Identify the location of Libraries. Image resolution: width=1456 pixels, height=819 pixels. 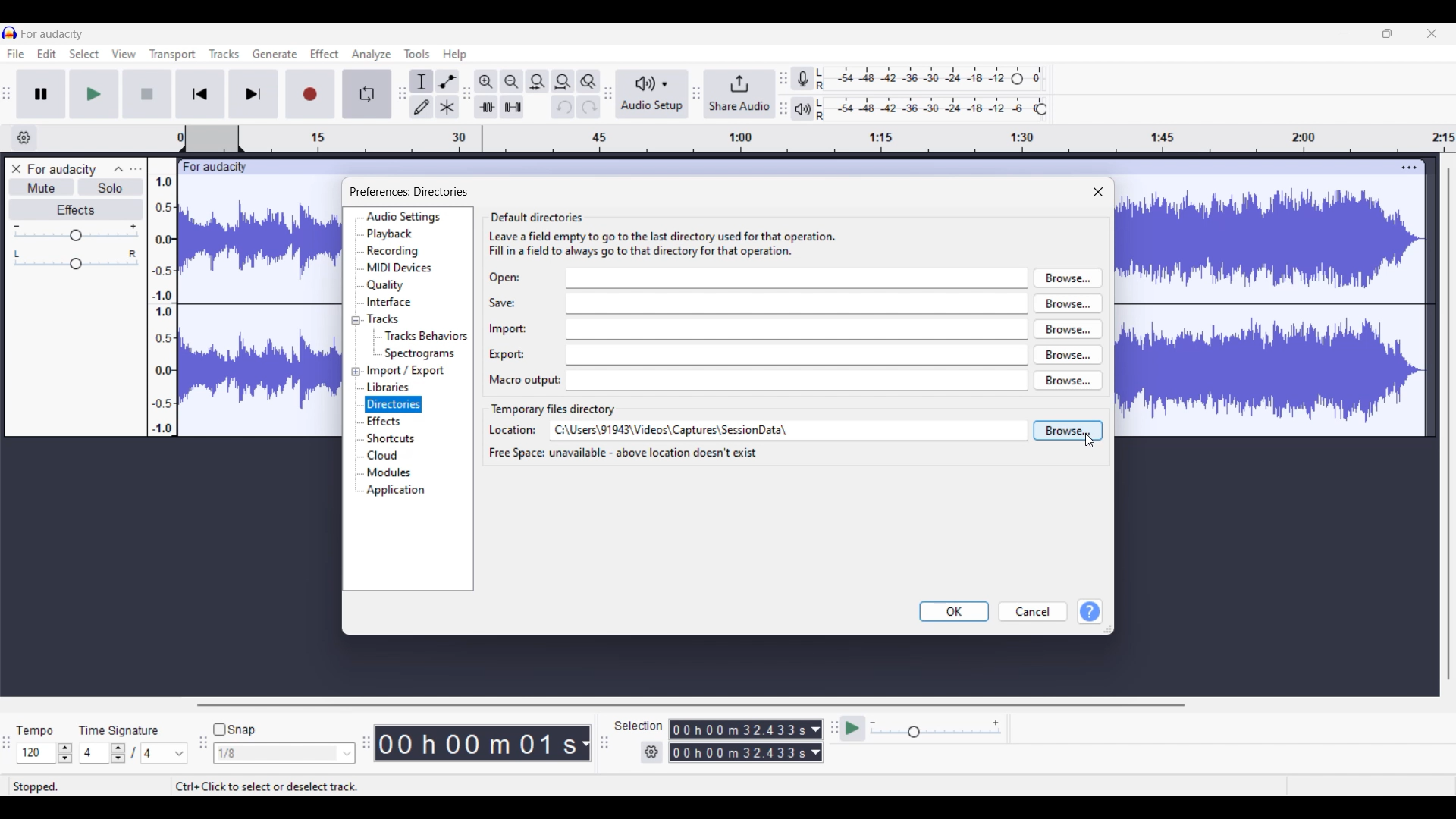
(389, 387).